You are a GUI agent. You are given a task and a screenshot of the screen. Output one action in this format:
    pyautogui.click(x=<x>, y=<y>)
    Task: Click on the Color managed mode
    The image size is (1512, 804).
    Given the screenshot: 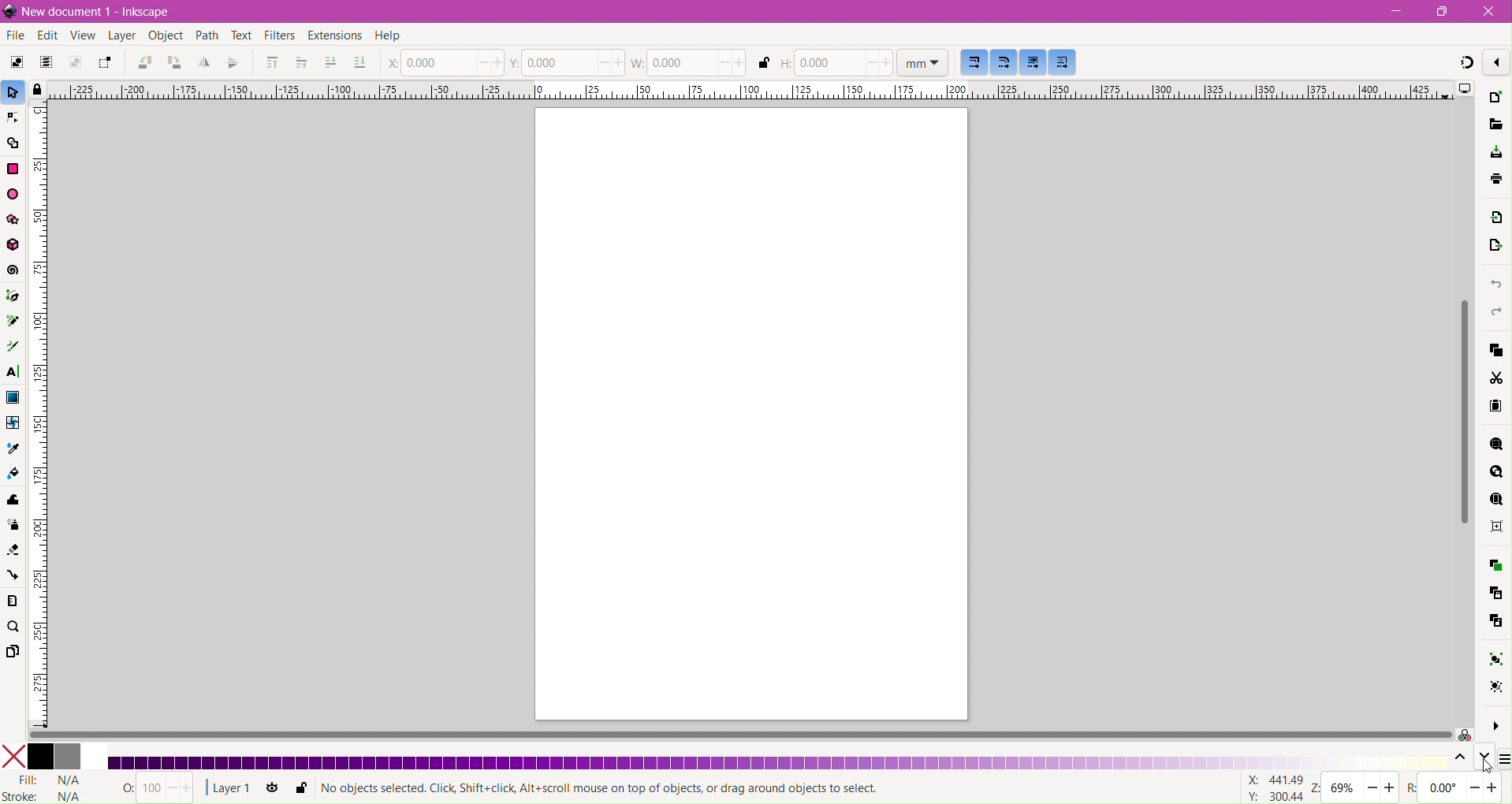 What is the action you would take?
    pyautogui.click(x=1465, y=736)
    